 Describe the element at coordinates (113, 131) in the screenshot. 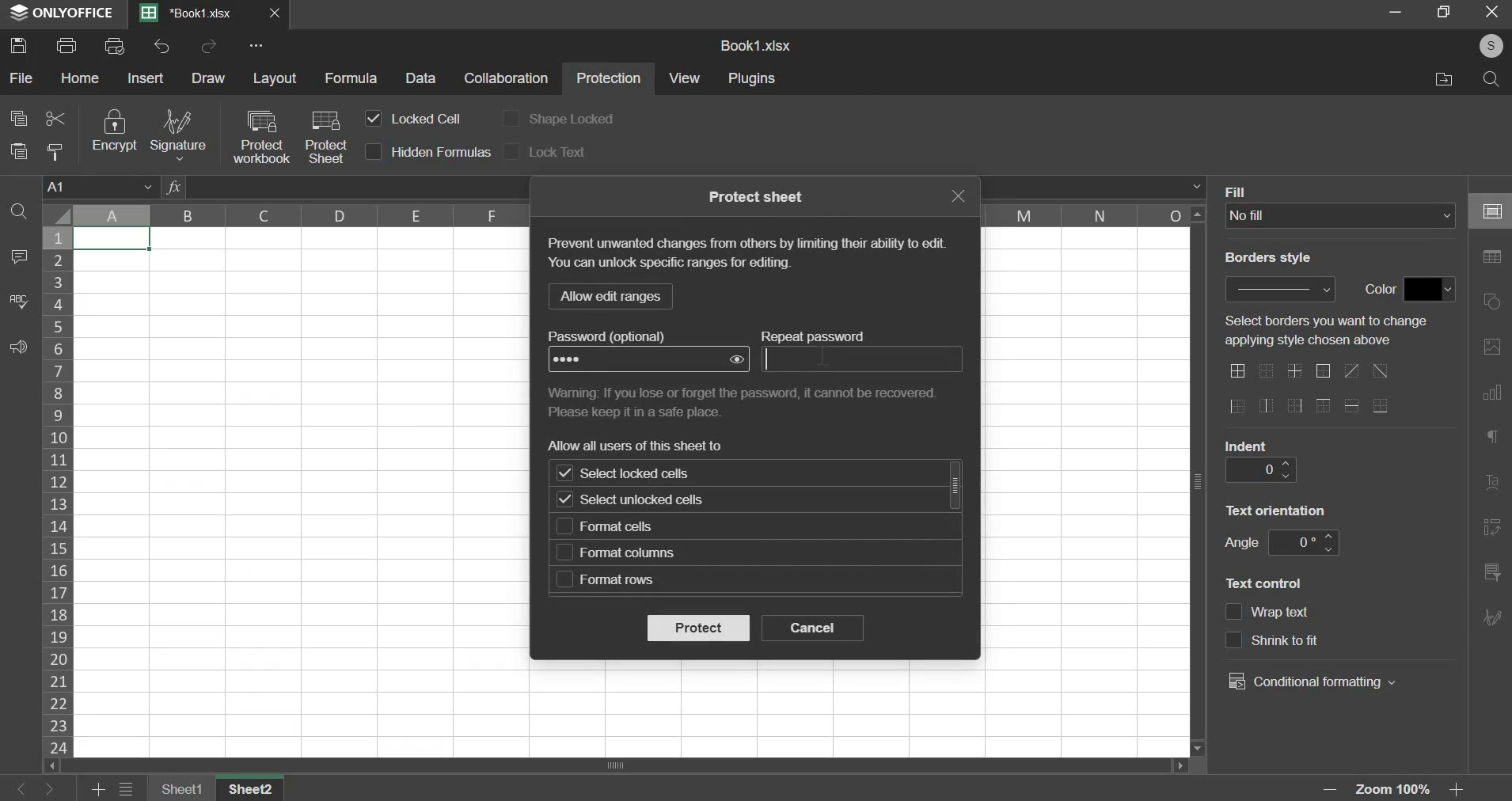

I see `encrypt` at that location.